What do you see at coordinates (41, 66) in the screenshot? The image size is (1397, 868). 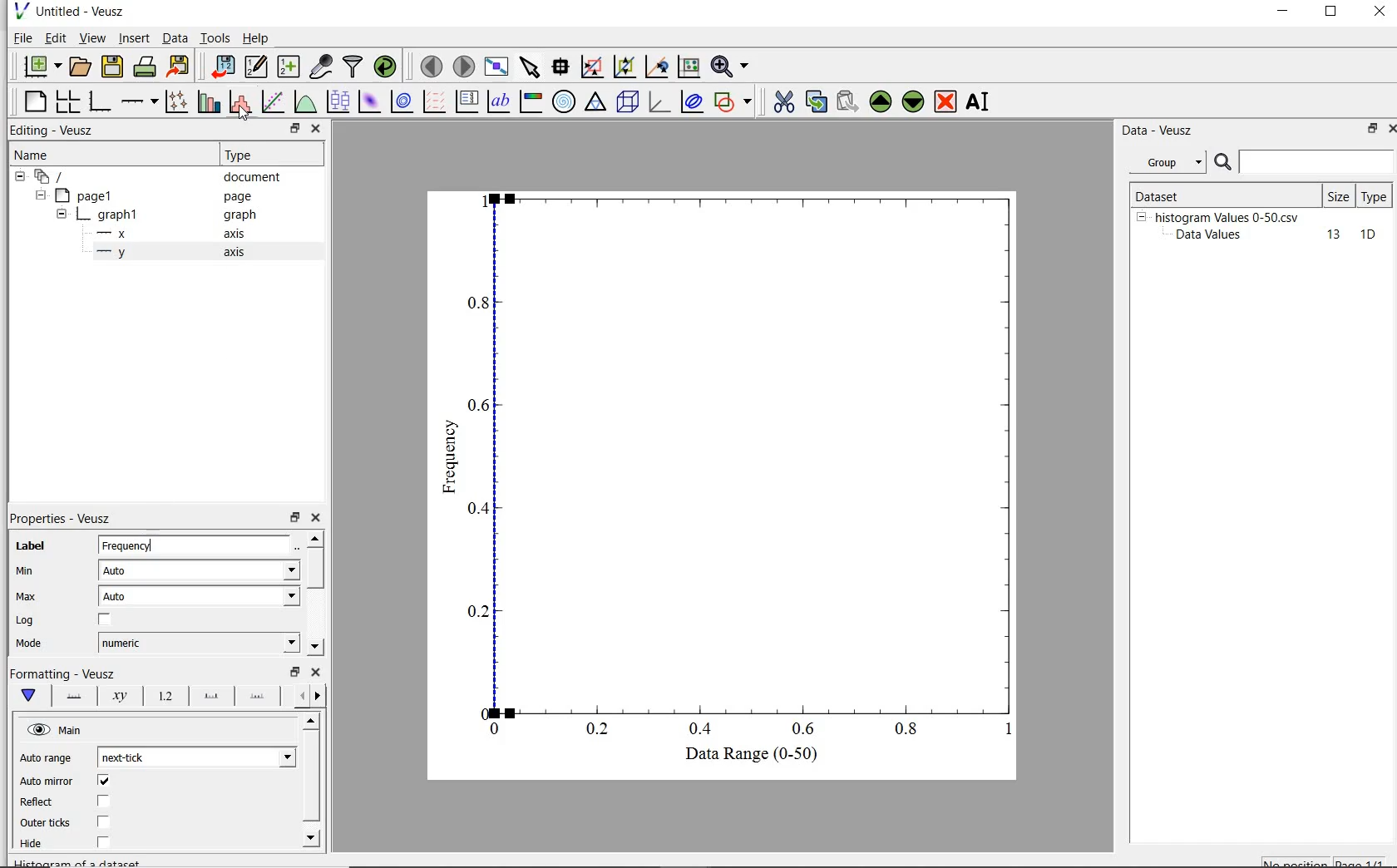 I see `new document` at bounding box center [41, 66].